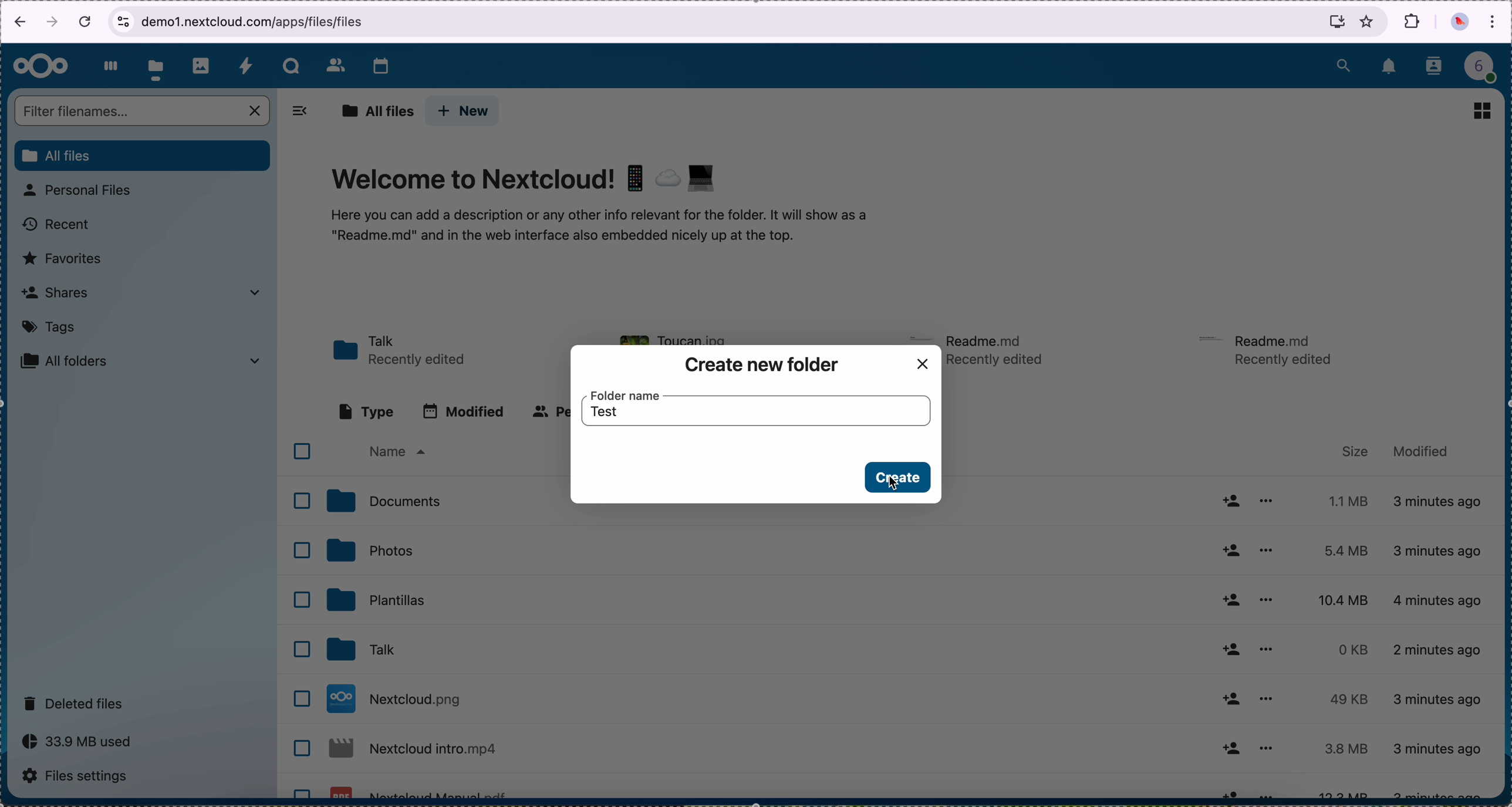 This screenshot has height=807, width=1512. I want to click on search, so click(1343, 63).